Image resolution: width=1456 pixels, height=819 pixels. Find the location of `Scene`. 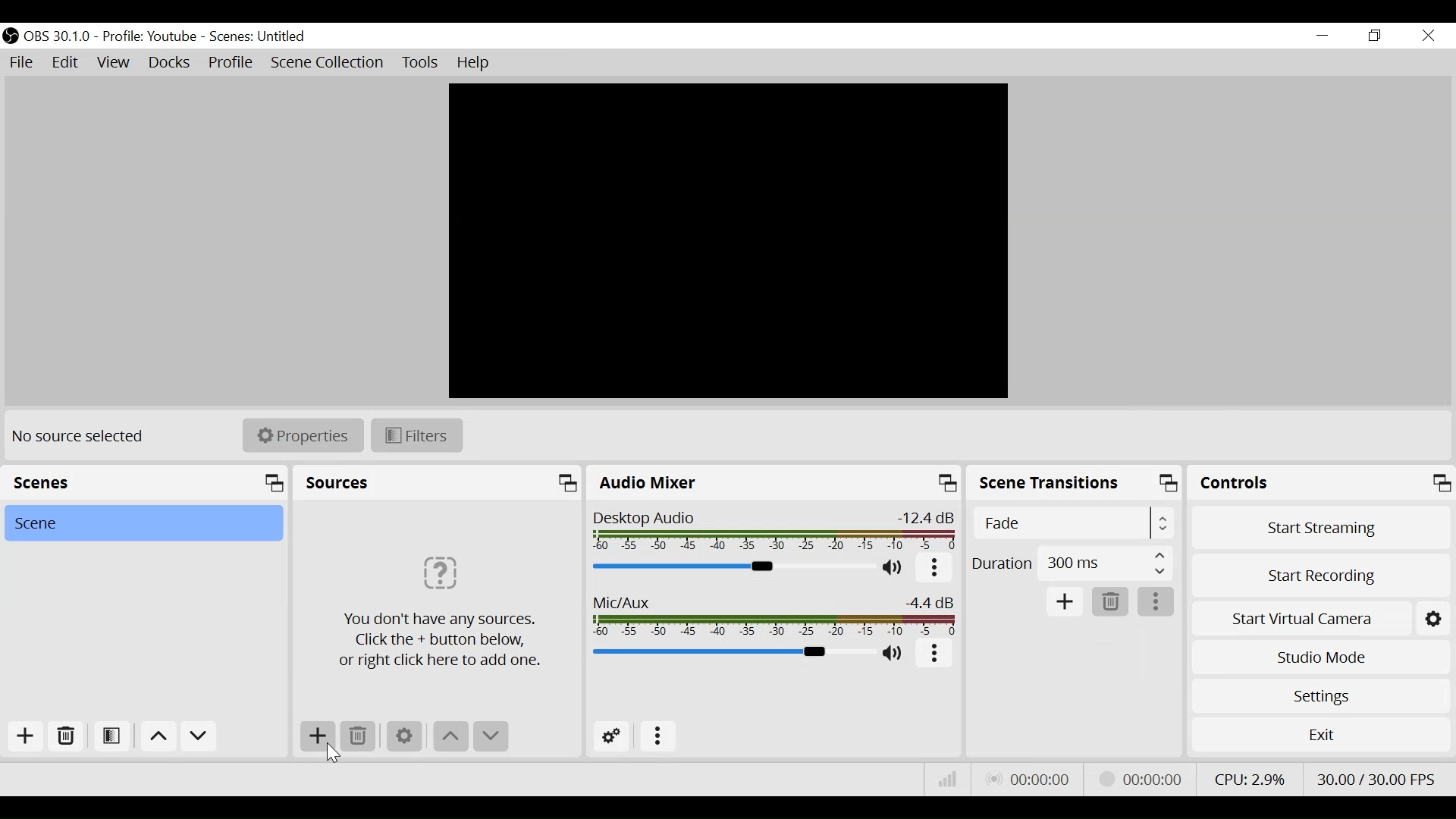

Scene is located at coordinates (142, 523).